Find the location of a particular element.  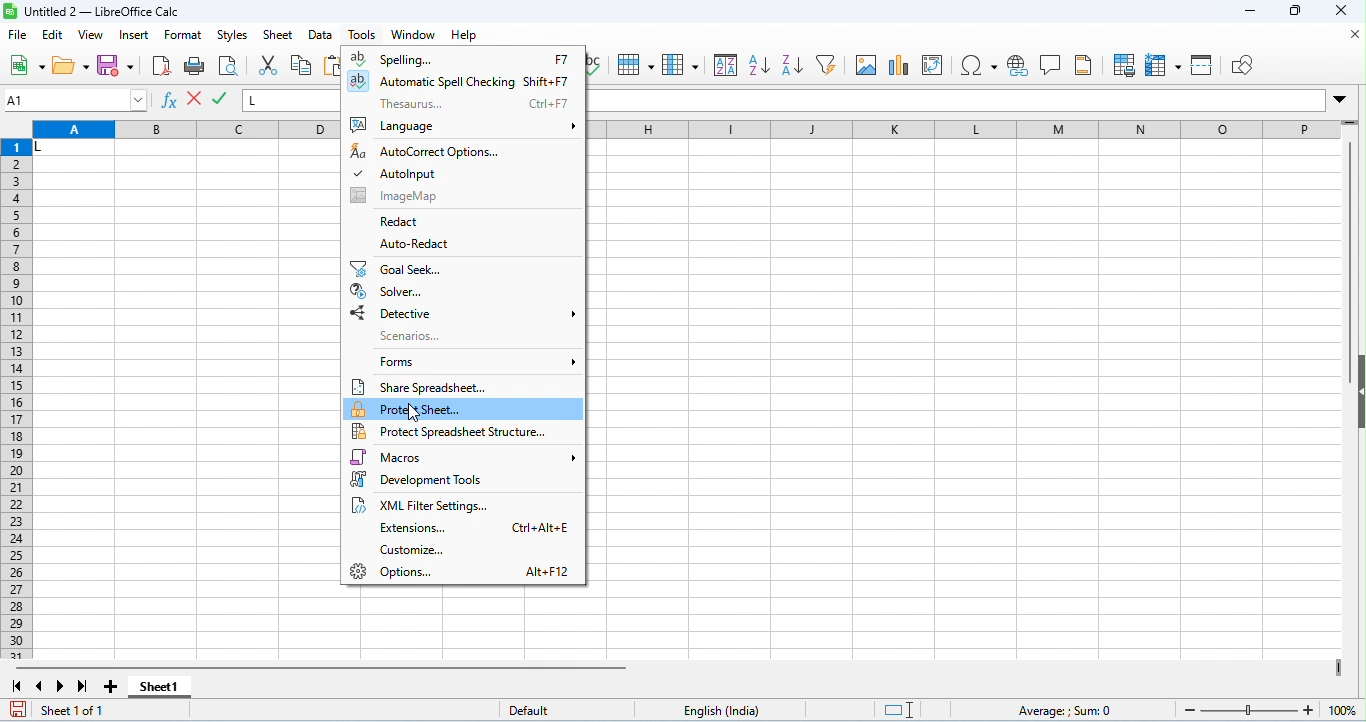

minimize is located at coordinates (1250, 12).